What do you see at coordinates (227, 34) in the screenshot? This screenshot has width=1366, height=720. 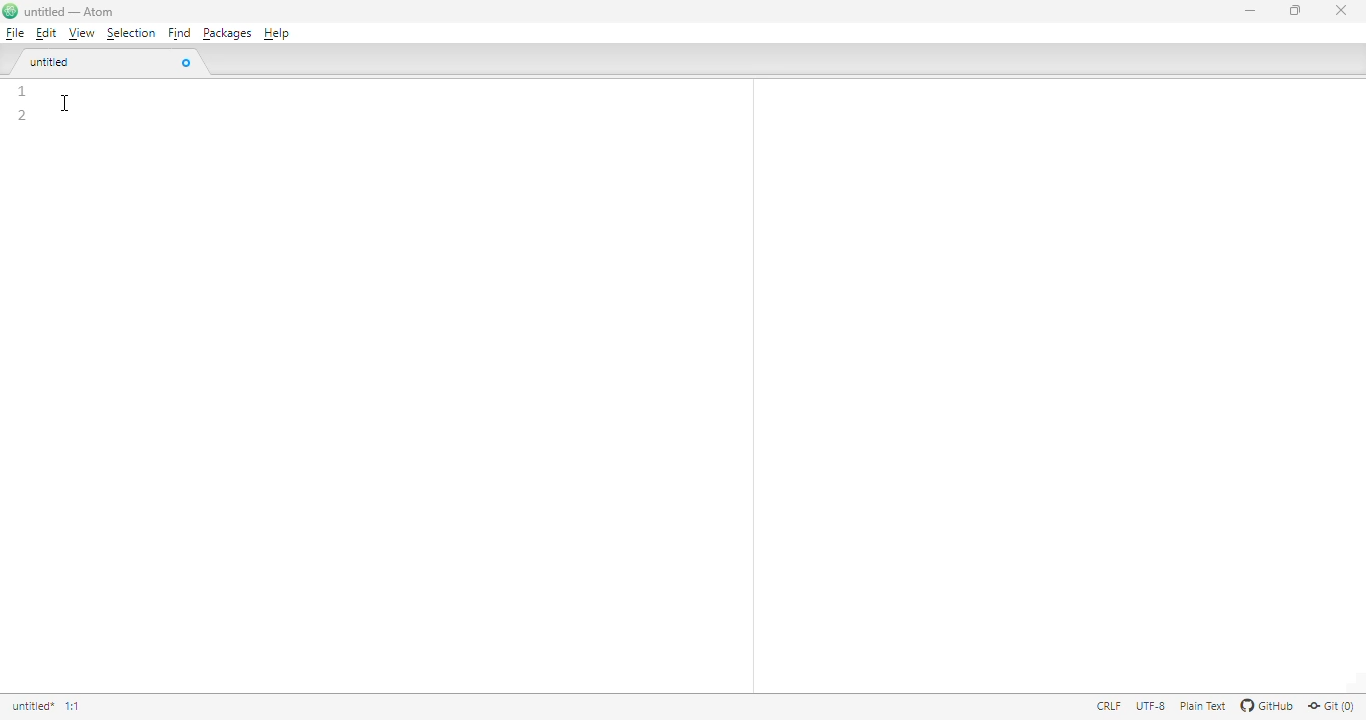 I see `packages` at bounding box center [227, 34].